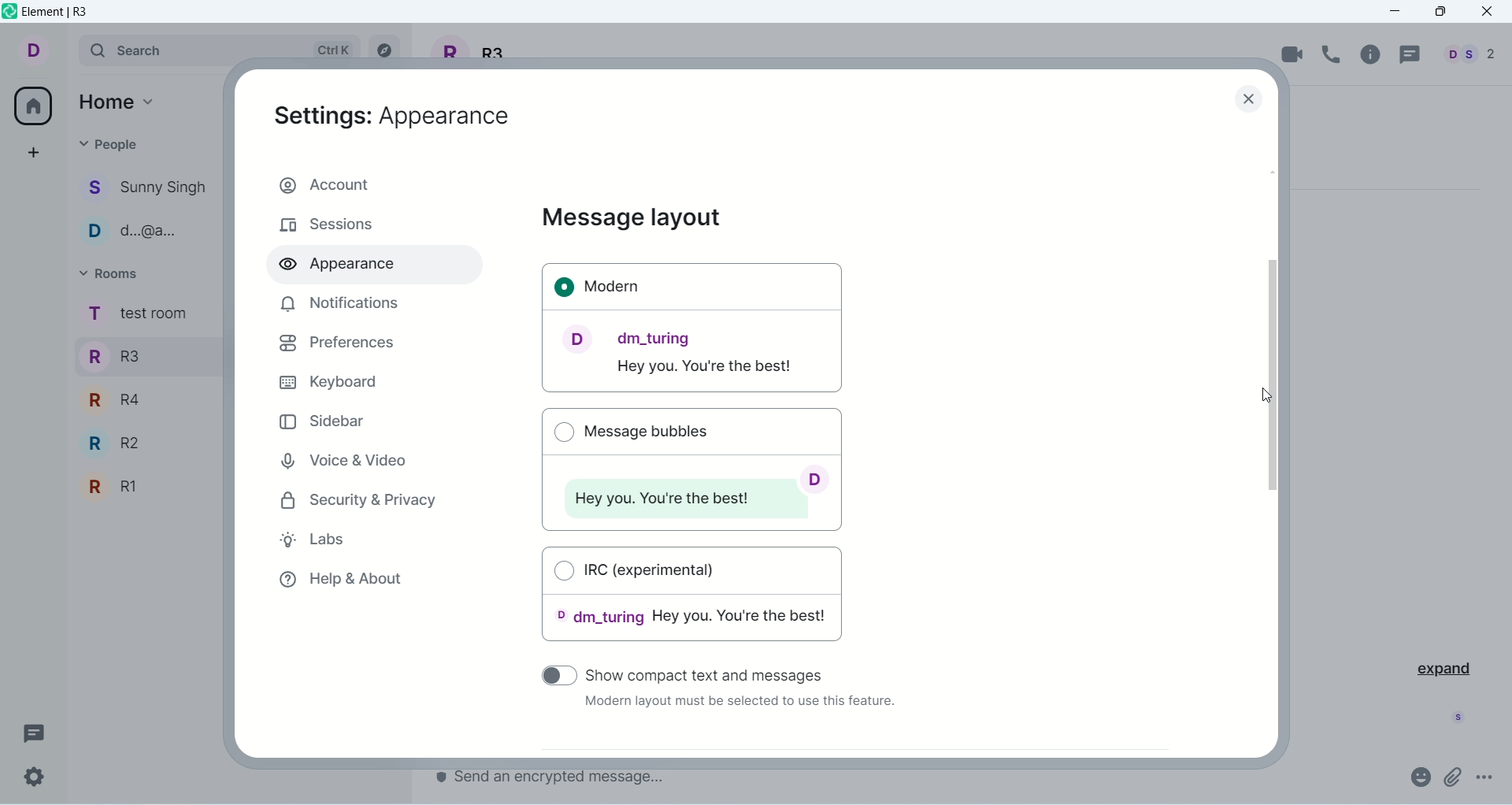 This screenshot has height=805, width=1512. I want to click on account, so click(44, 51).